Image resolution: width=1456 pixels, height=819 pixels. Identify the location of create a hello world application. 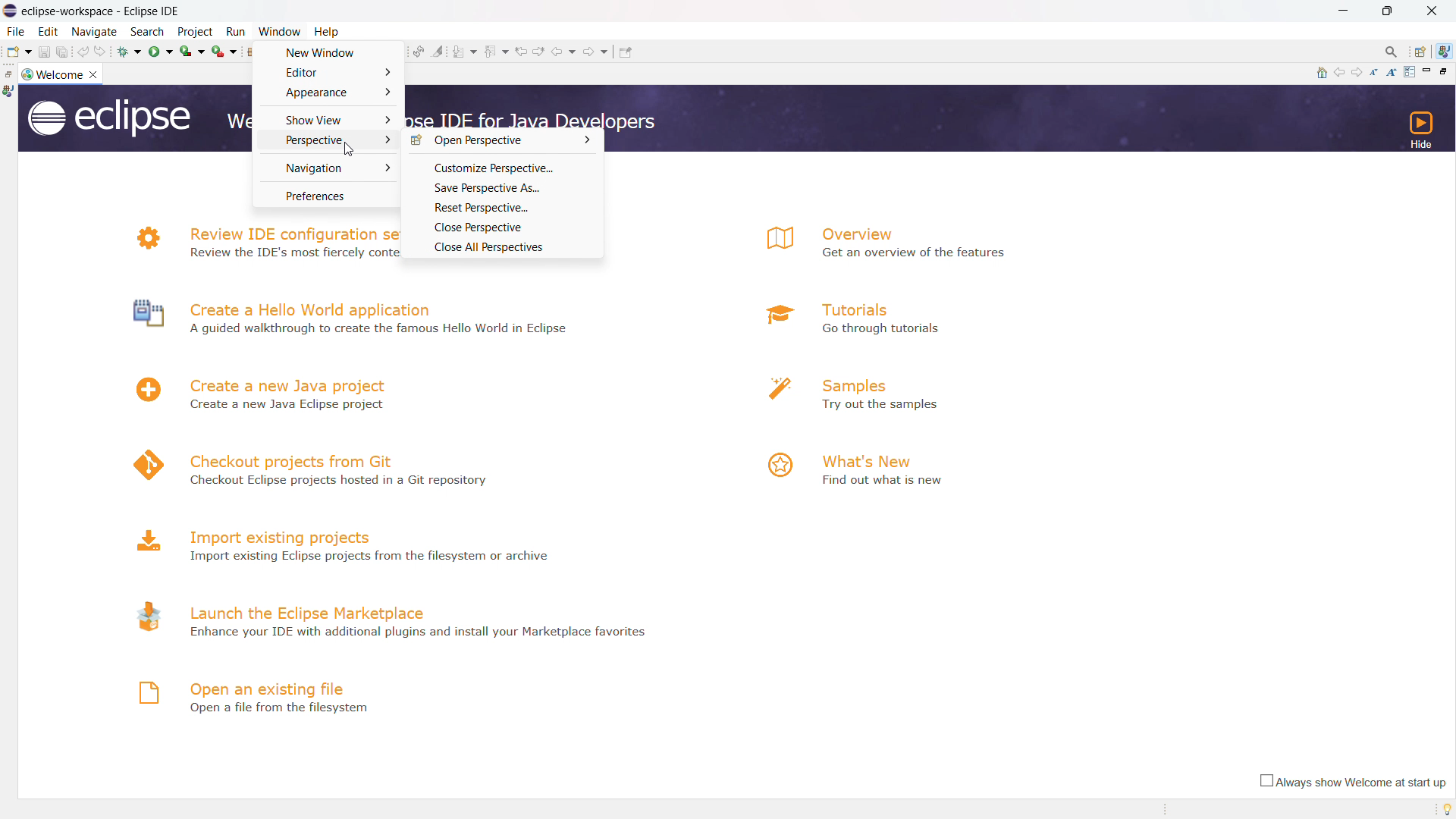
(314, 309).